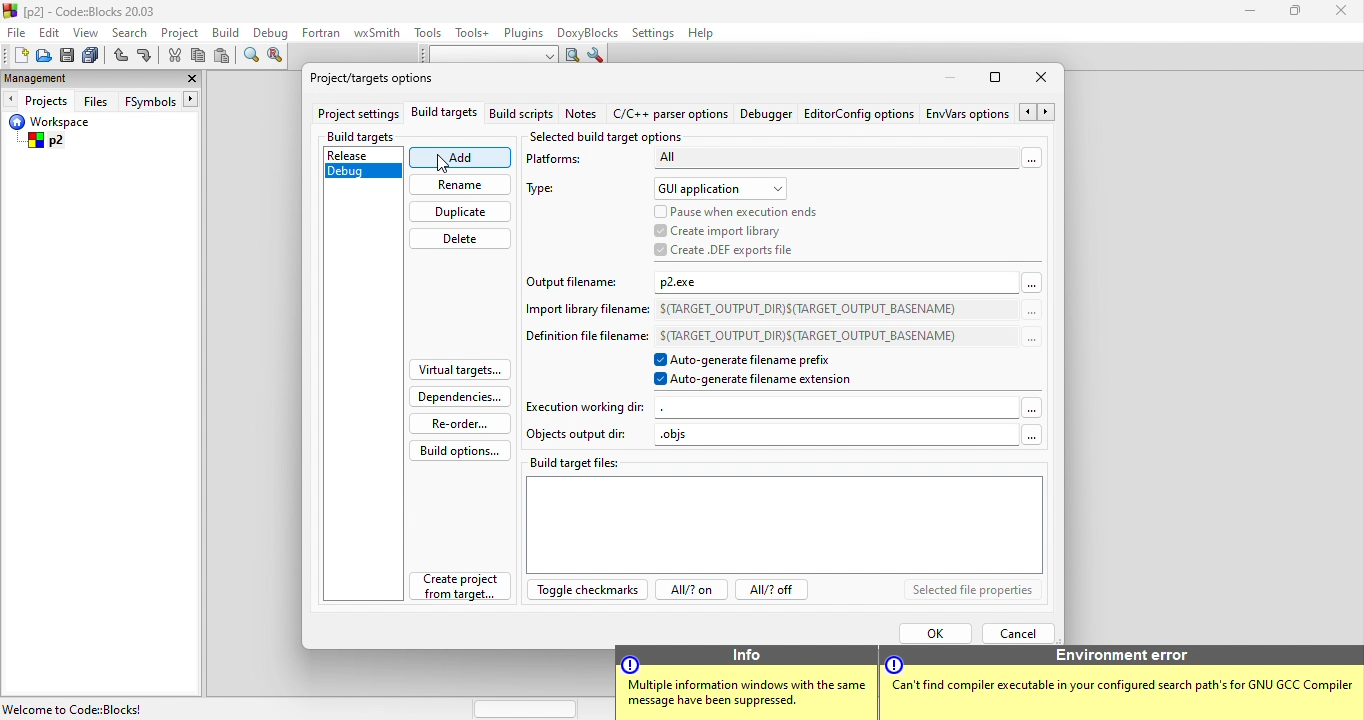  What do you see at coordinates (781, 337) in the screenshot?
I see `Definition file filename: $(TARGET_OUTPUT_DIR)S(TARGET_OUTPUT_BASENAME)` at bounding box center [781, 337].